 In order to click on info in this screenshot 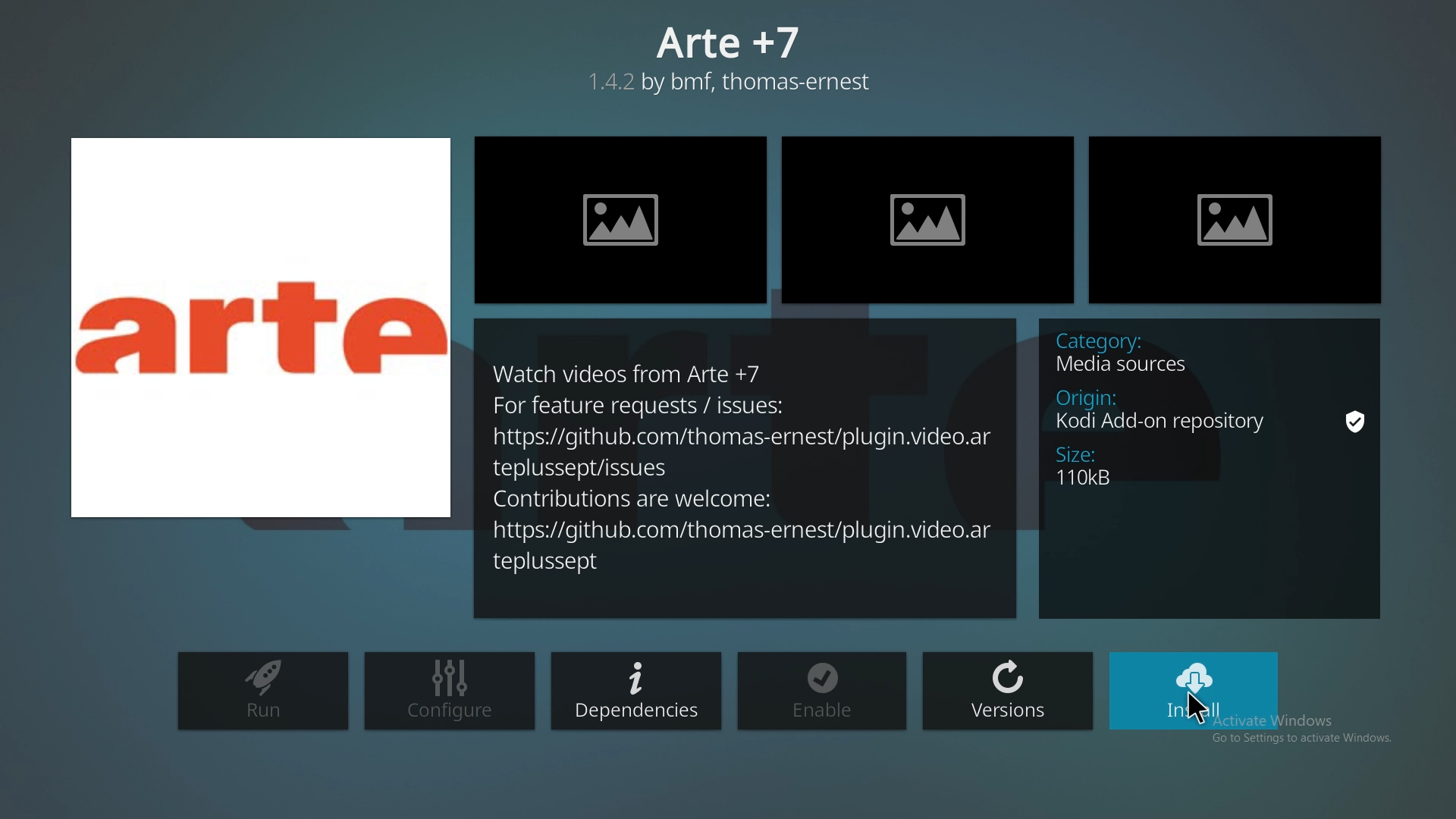, I will do `click(1209, 469)`.